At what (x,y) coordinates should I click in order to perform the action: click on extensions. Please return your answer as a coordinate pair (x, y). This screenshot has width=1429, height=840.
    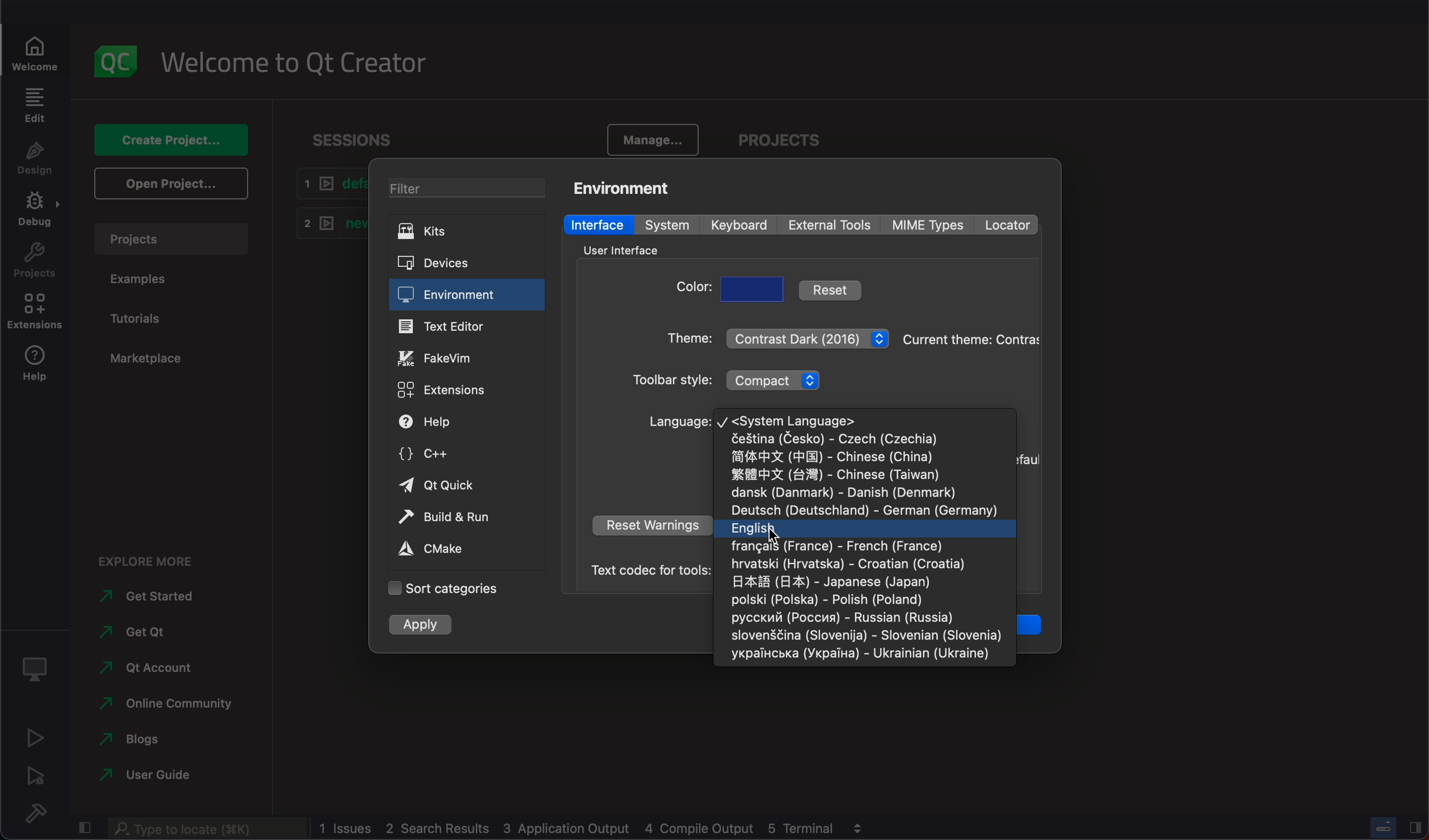
    Looking at the image, I should click on (467, 389).